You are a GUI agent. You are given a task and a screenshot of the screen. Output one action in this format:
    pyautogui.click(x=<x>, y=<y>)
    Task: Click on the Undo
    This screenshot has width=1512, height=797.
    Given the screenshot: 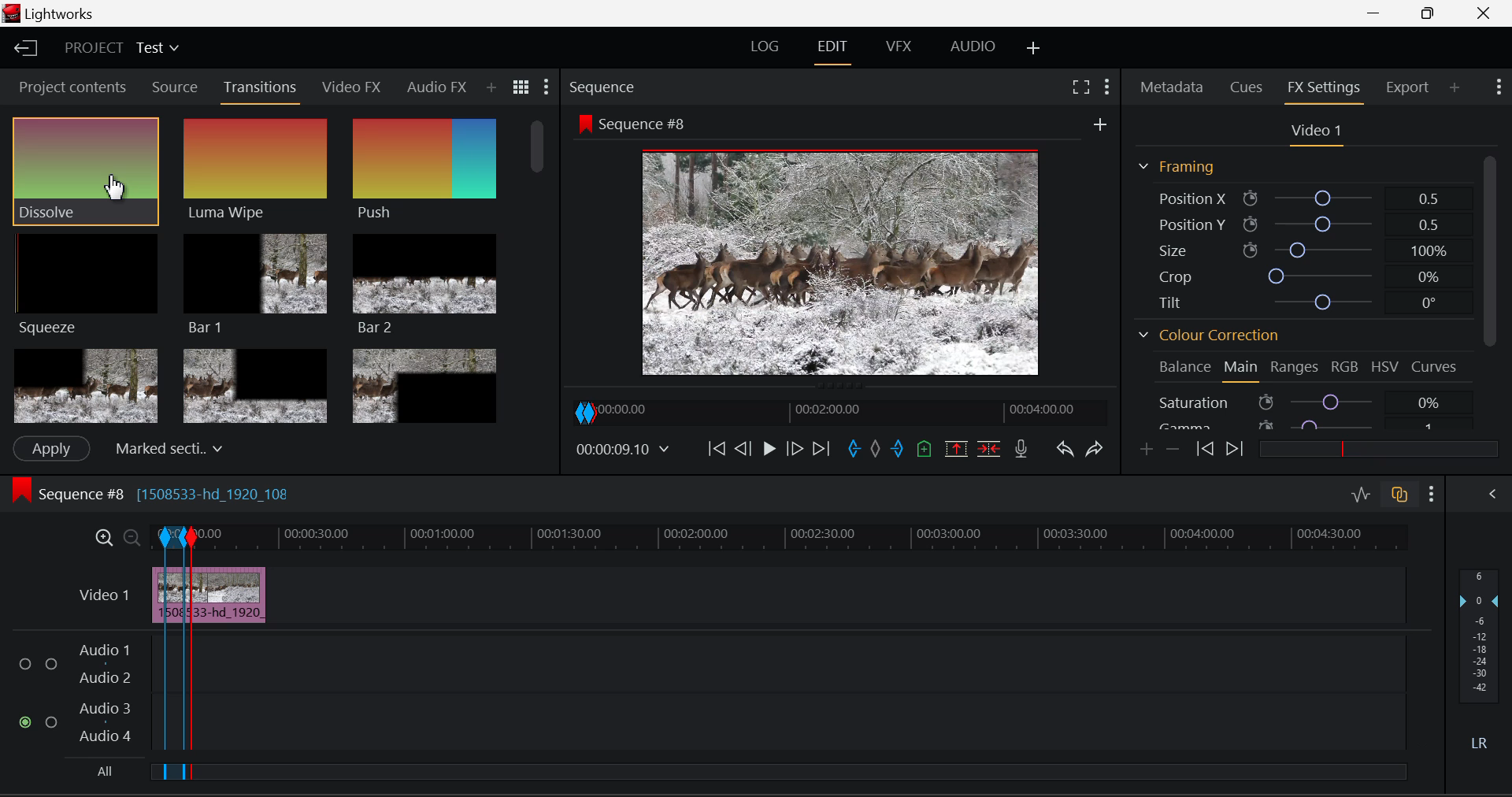 What is the action you would take?
    pyautogui.click(x=1066, y=451)
    